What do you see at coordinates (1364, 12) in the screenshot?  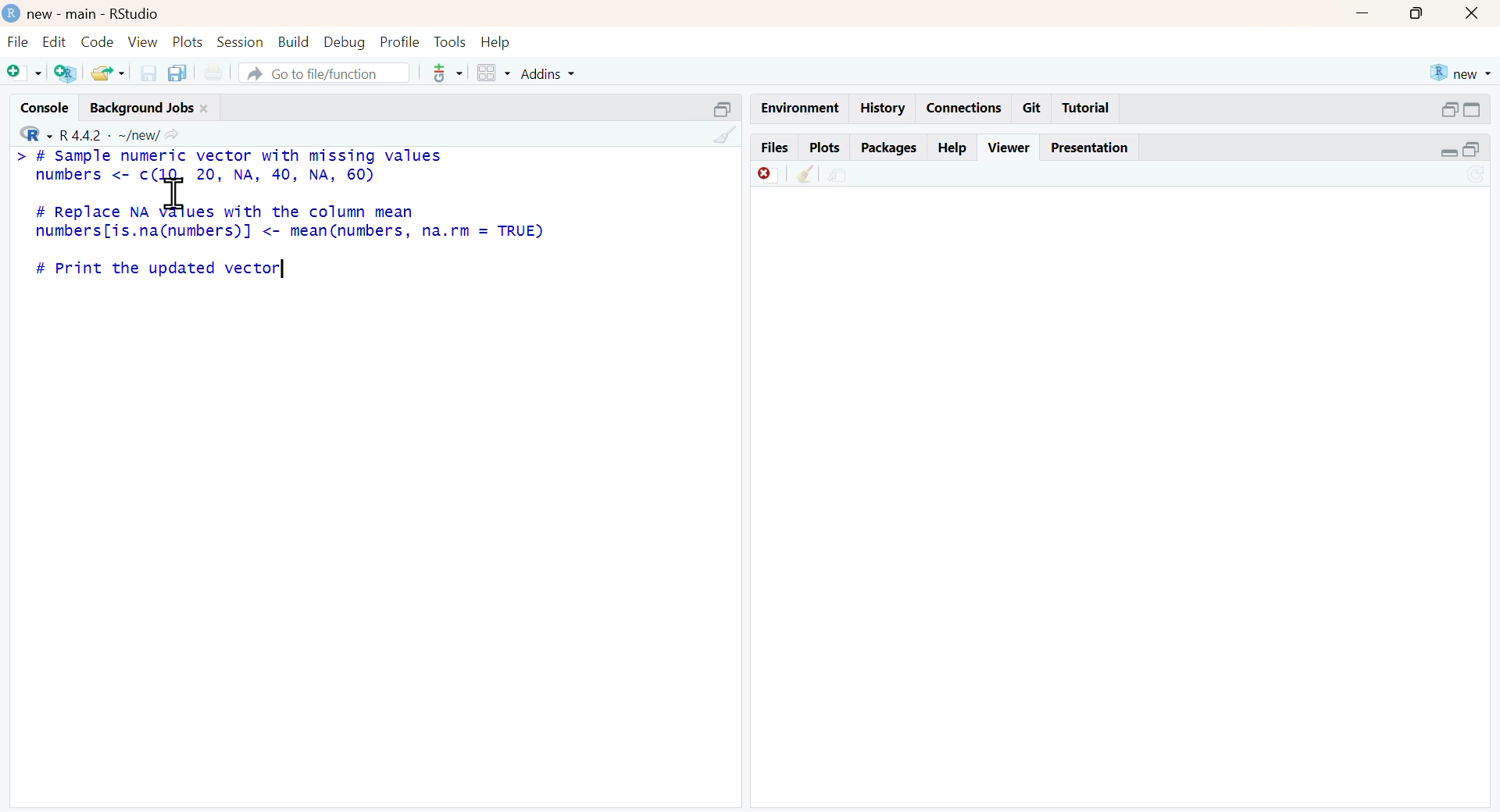 I see `minimise` at bounding box center [1364, 12].